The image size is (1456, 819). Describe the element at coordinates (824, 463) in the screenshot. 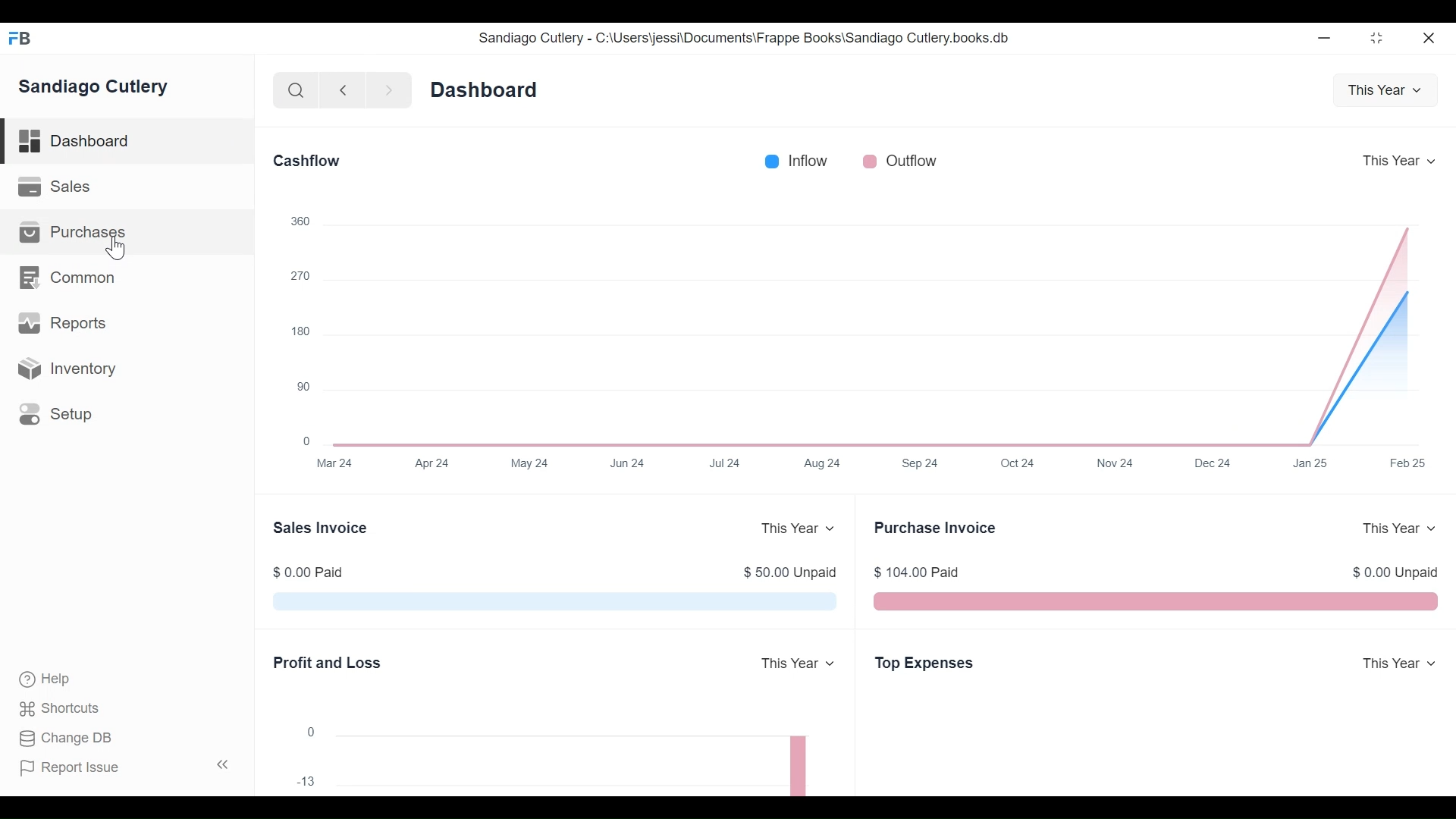

I see `Aug 24` at that location.